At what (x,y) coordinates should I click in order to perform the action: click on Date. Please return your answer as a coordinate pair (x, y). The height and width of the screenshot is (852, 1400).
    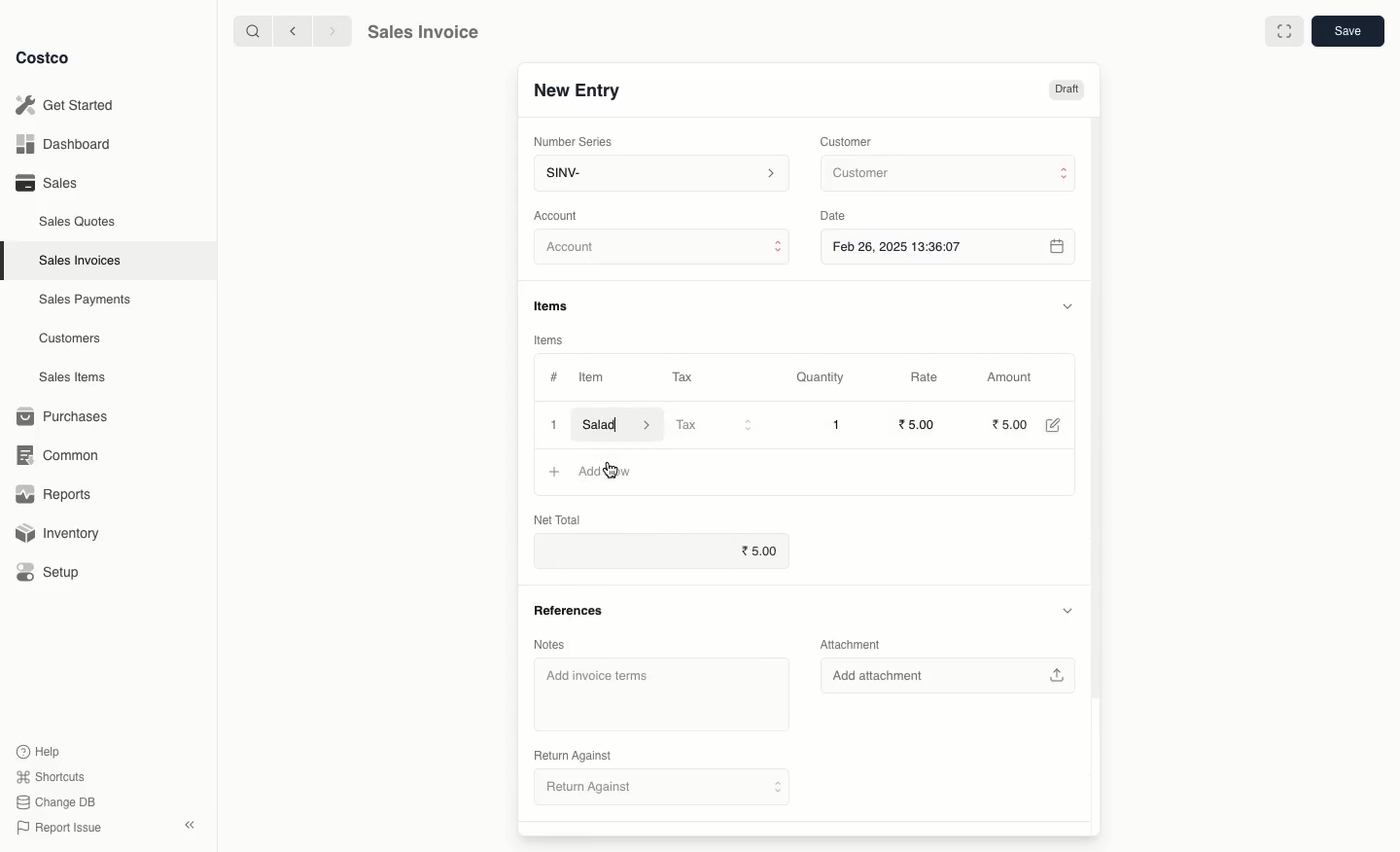
    Looking at the image, I should click on (838, 216).